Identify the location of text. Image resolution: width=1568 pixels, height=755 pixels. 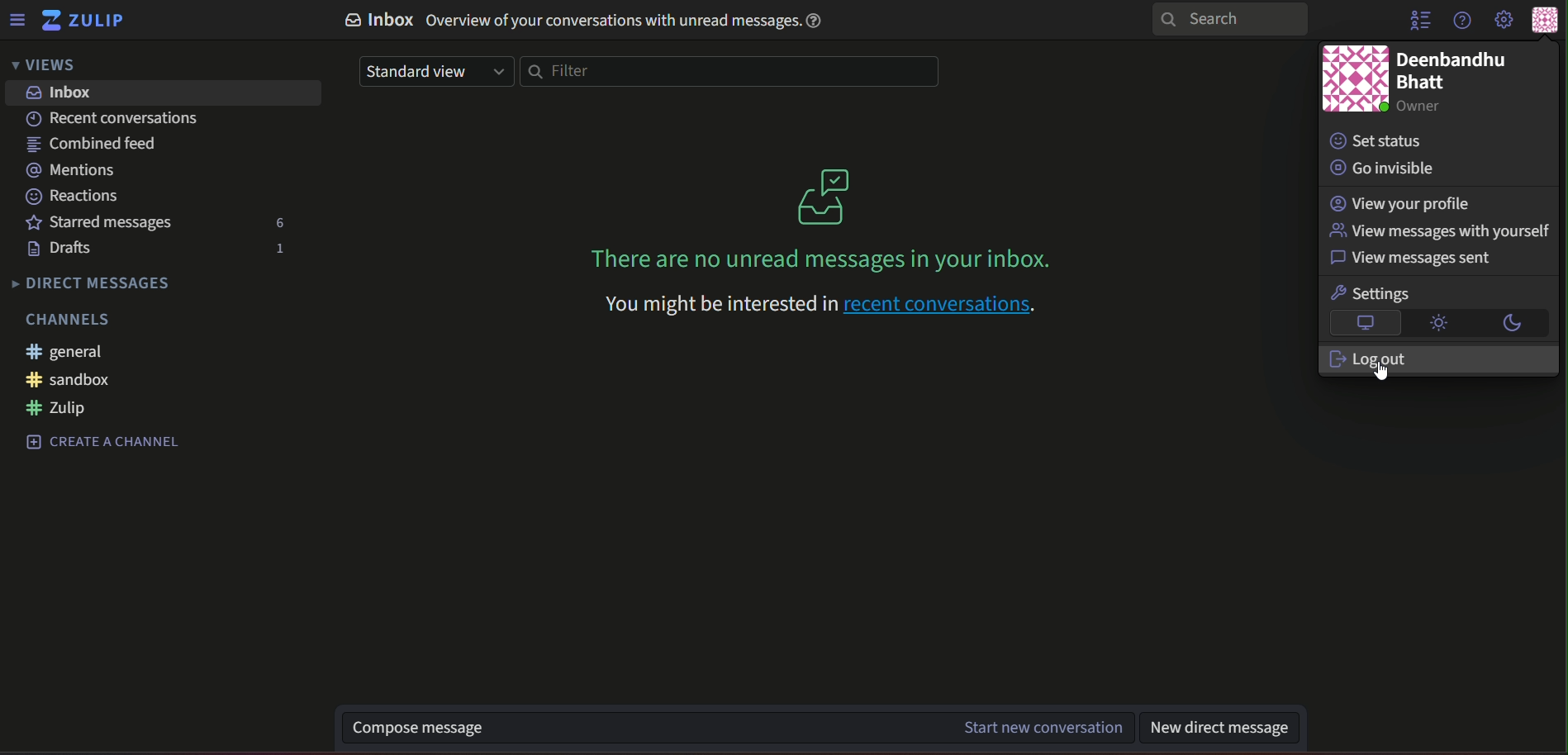
(69, 321).